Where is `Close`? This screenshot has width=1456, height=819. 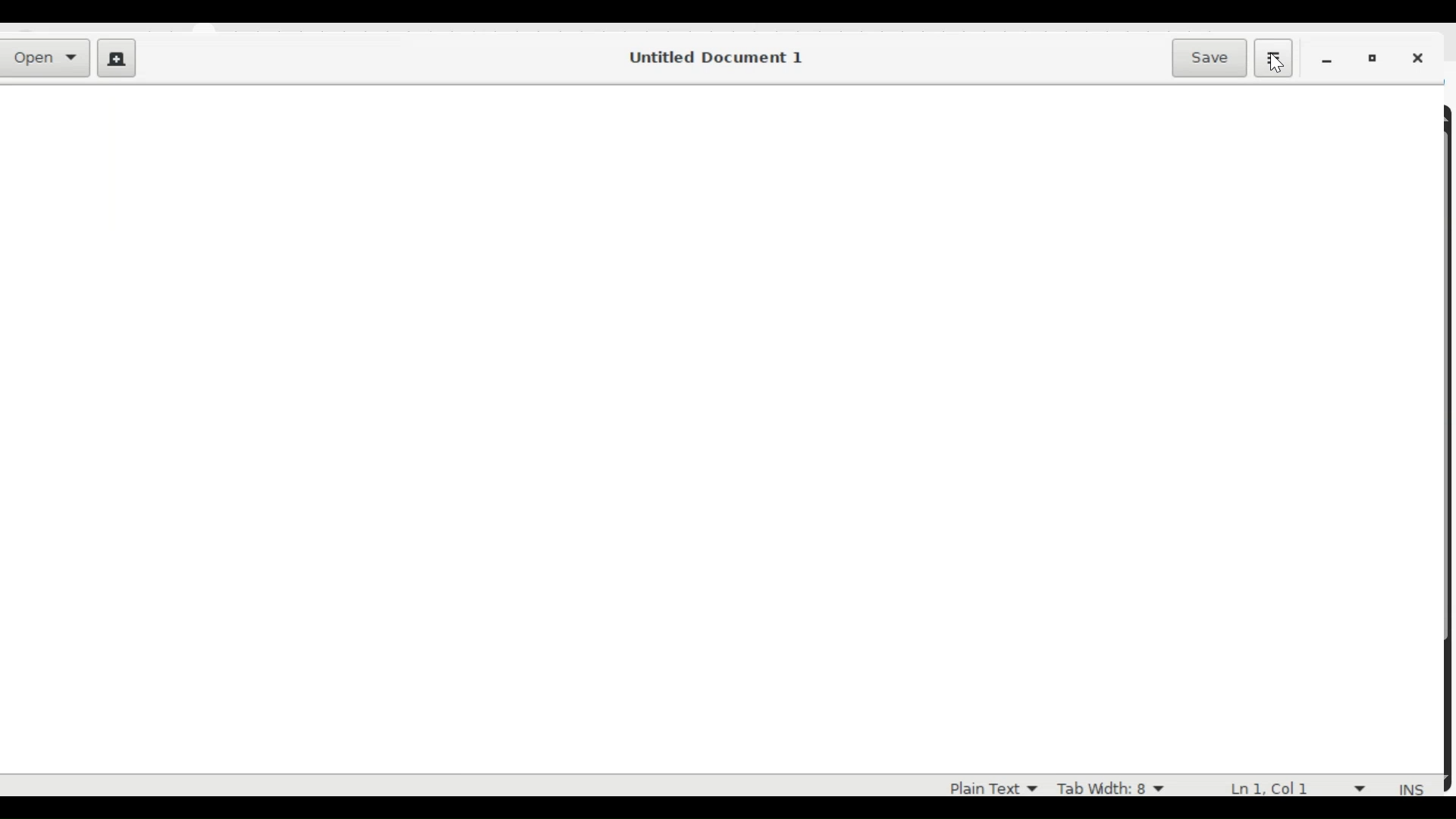 Close is located at coordinates (1422, 60).